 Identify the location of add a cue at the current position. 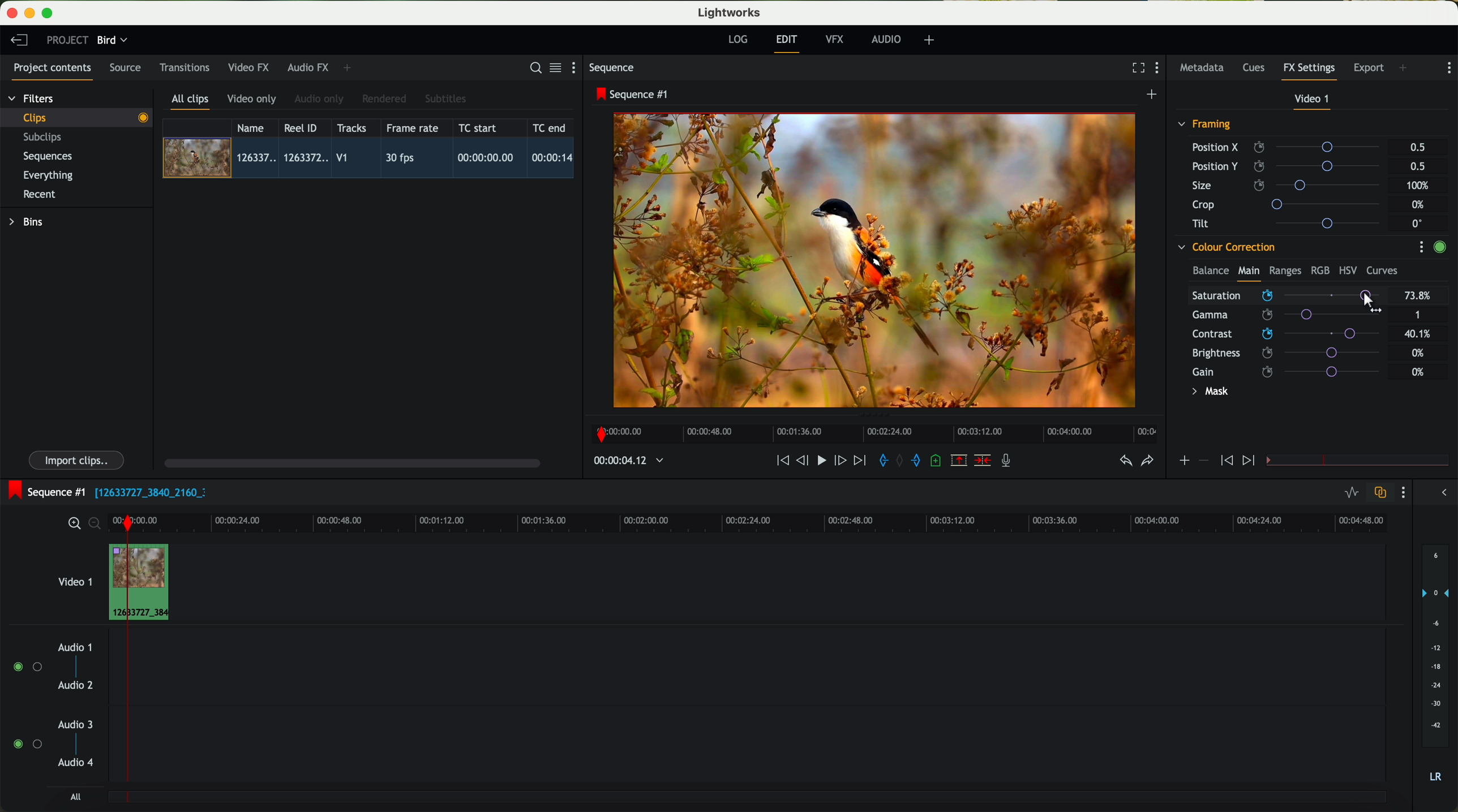
(937, 461).